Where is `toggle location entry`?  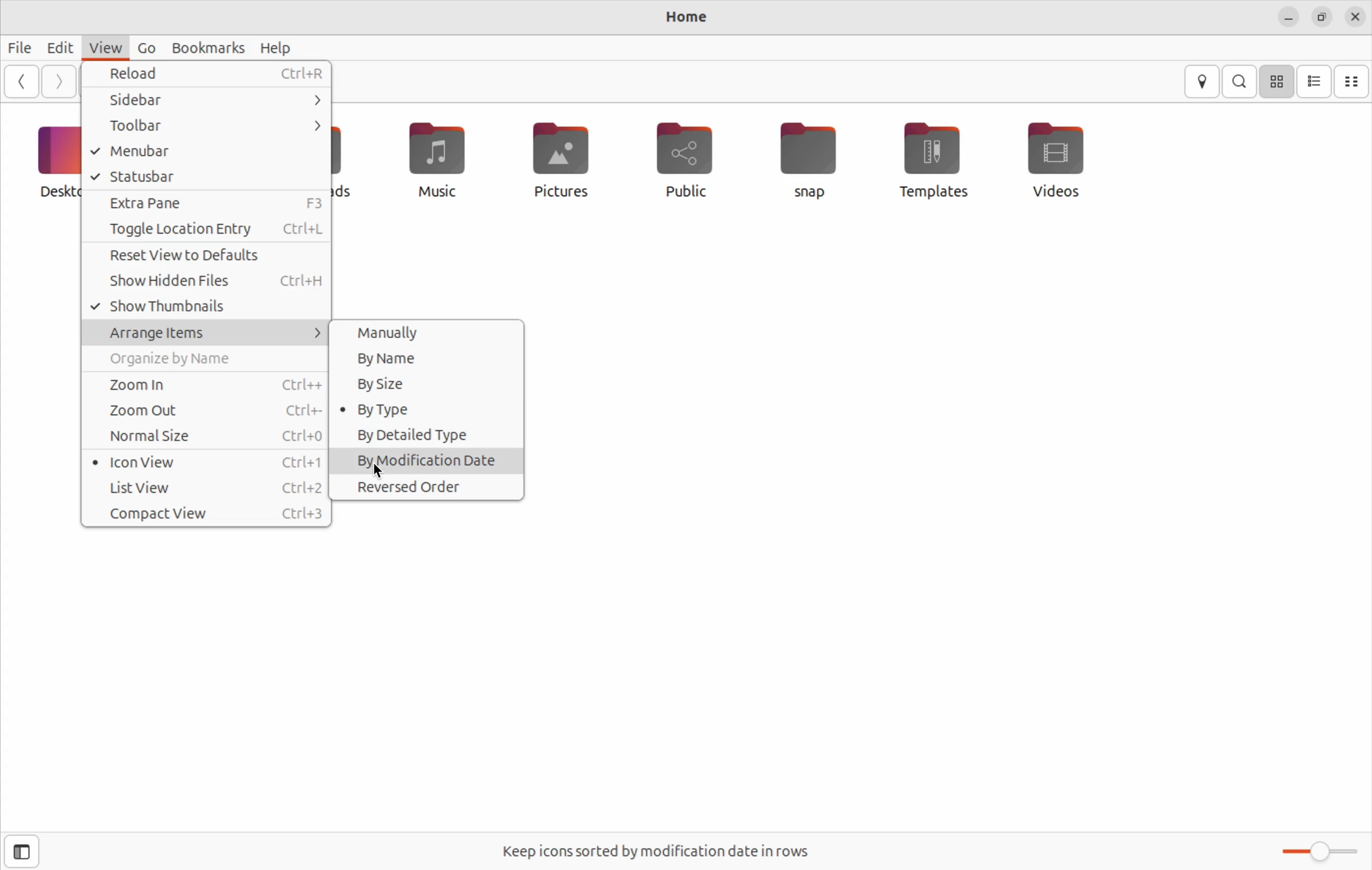 toggle location entry is located at coordinates (208, 230).